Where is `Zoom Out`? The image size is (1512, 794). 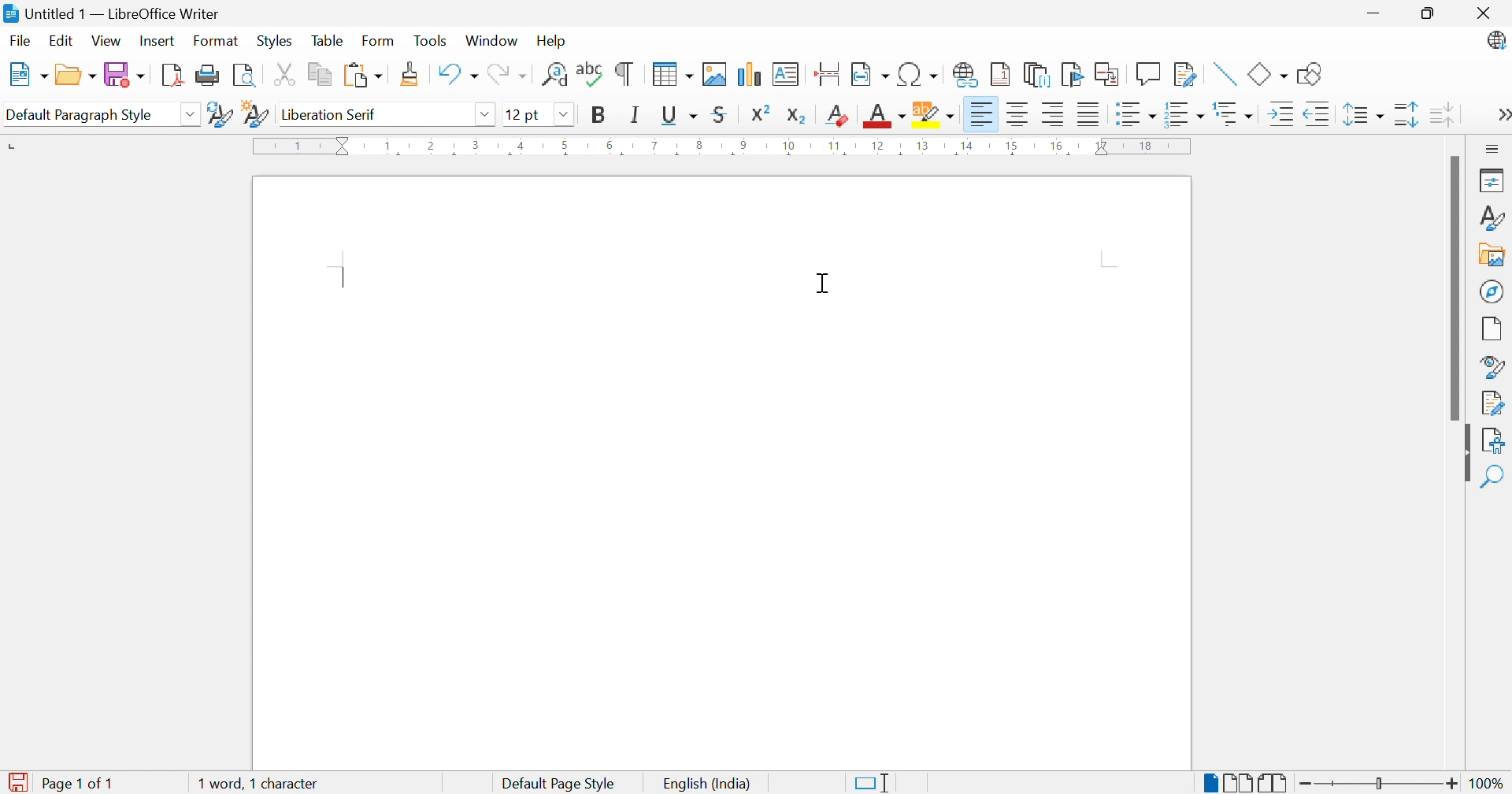
Zoom Out is located at coordinates (1306, 782).